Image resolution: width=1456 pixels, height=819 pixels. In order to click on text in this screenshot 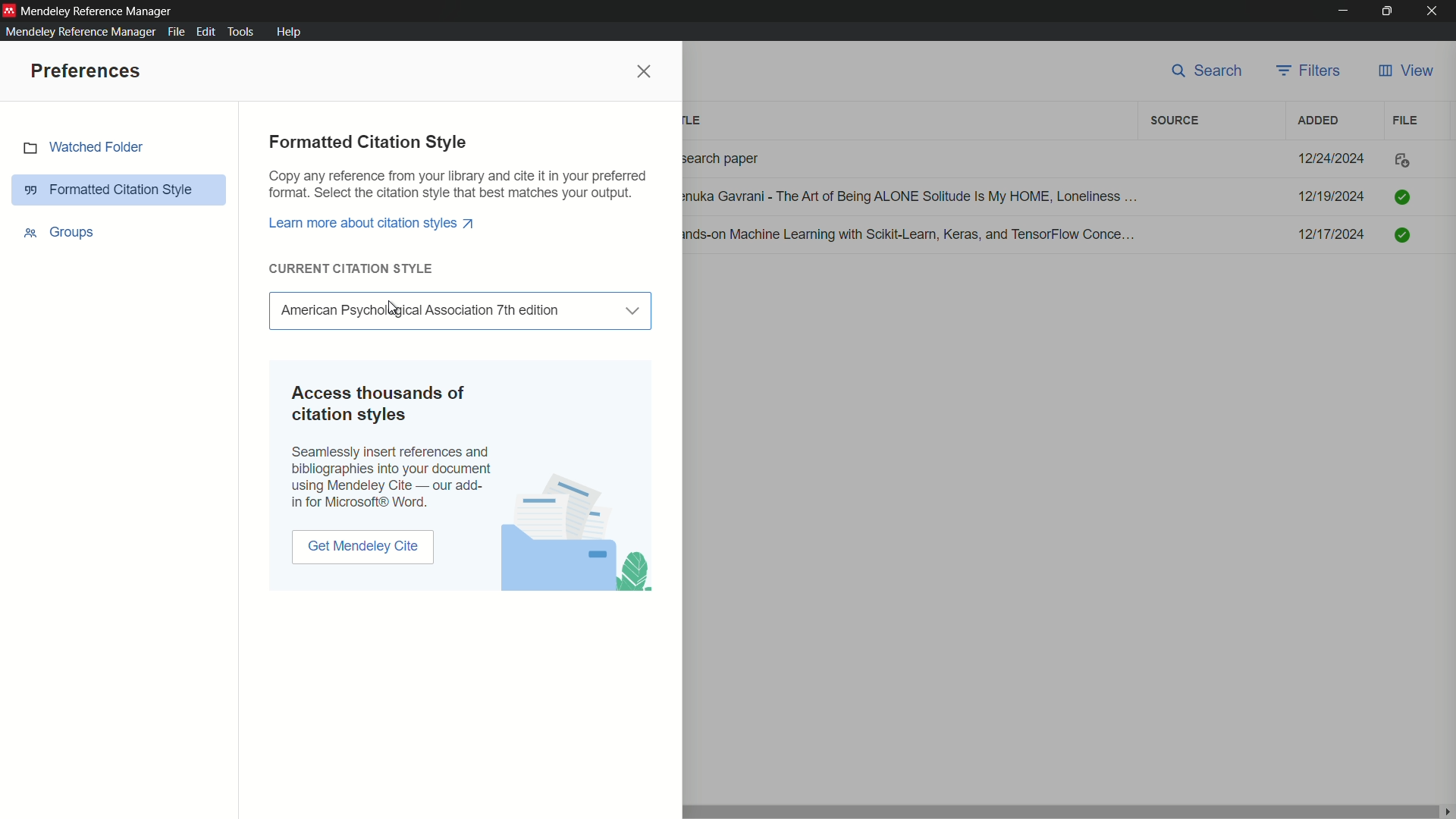, I will do `click(458, 185)`.